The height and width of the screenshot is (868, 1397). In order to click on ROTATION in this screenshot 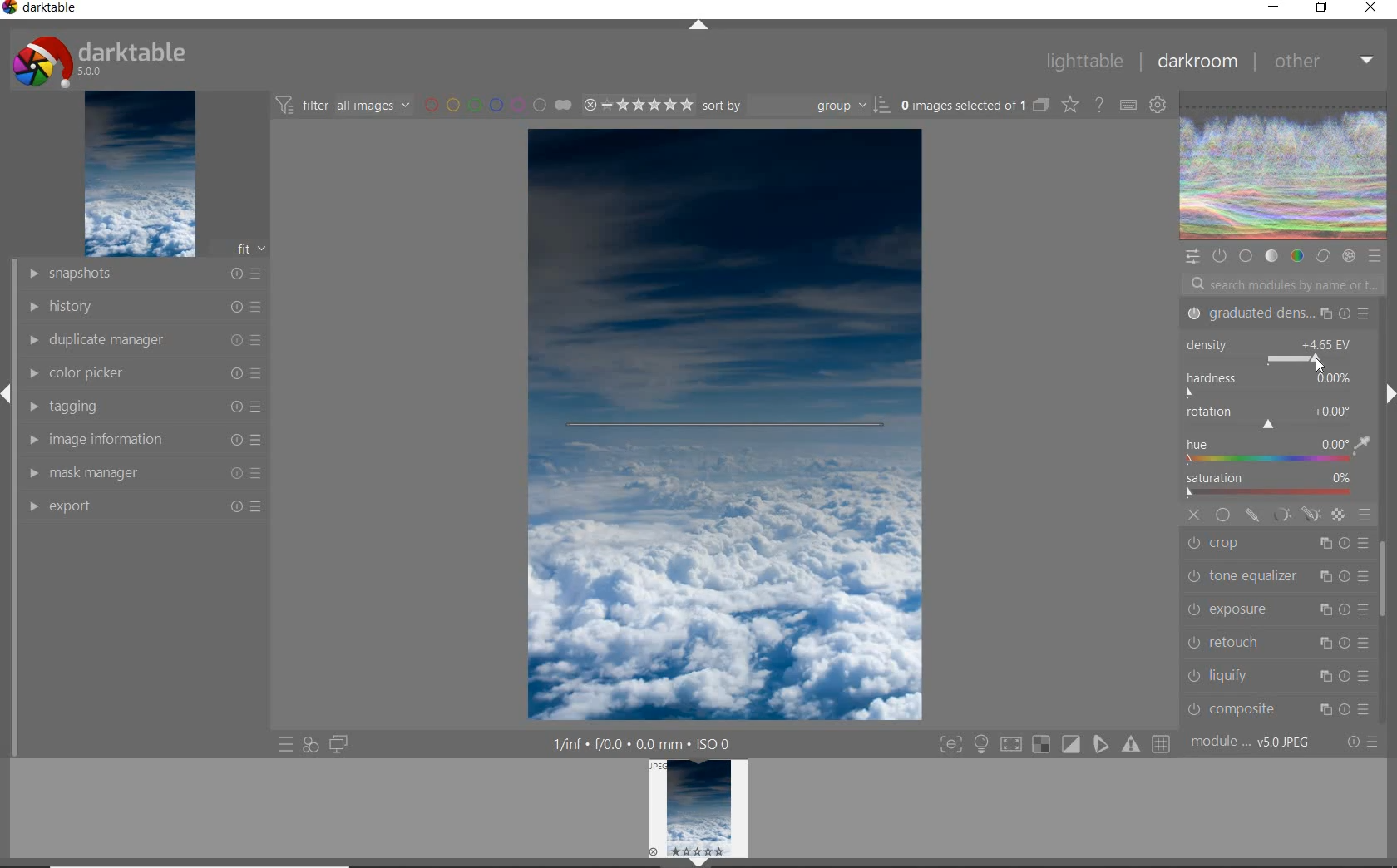, I will do `click(1271, 418)`.